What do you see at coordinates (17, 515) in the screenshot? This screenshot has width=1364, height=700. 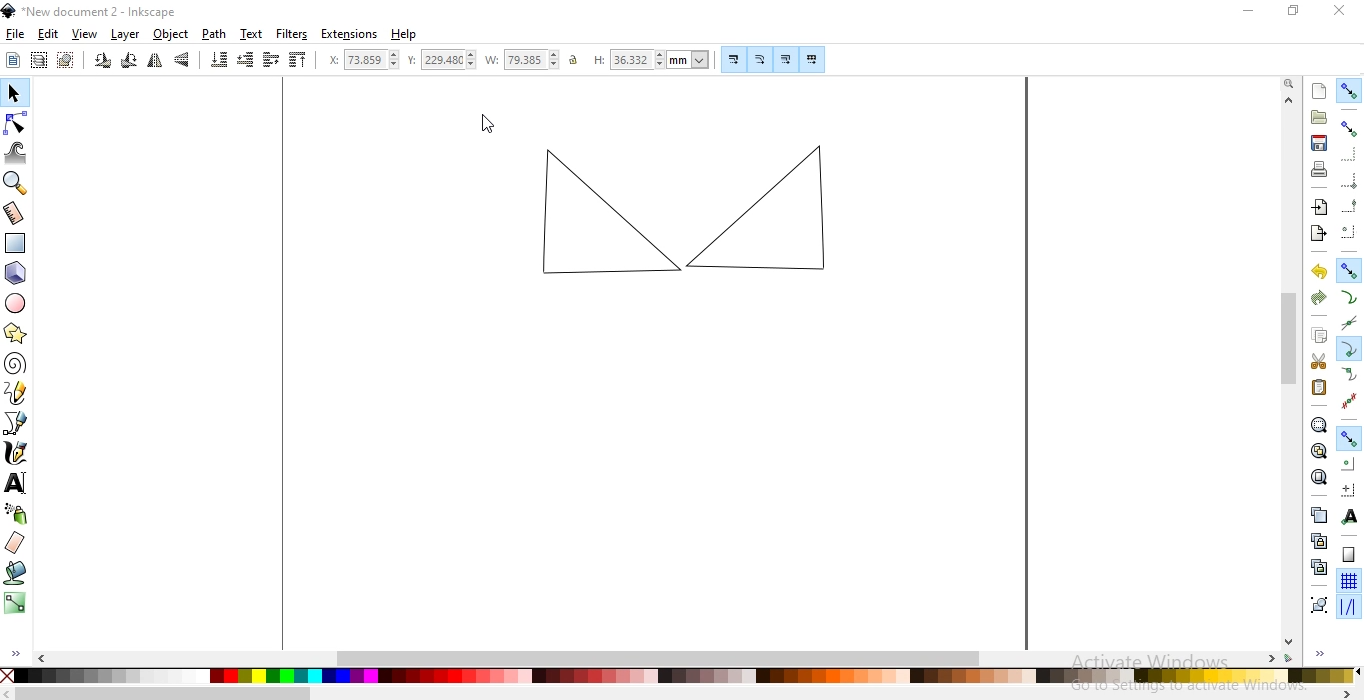 I see `spray objects by sculpting or painting` at bounding box center [17, 515].